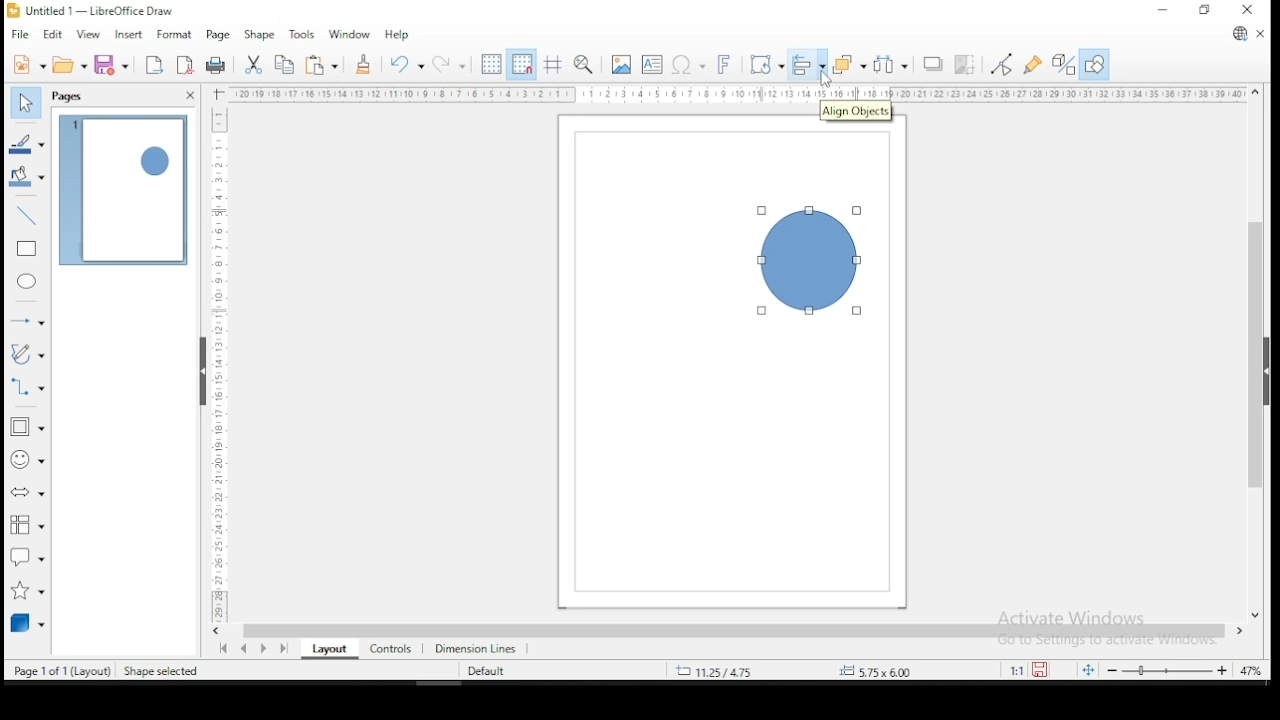  Describe the element at coordinates (724, 62) in the screenshot. I see `insert fontwork text` at that location.